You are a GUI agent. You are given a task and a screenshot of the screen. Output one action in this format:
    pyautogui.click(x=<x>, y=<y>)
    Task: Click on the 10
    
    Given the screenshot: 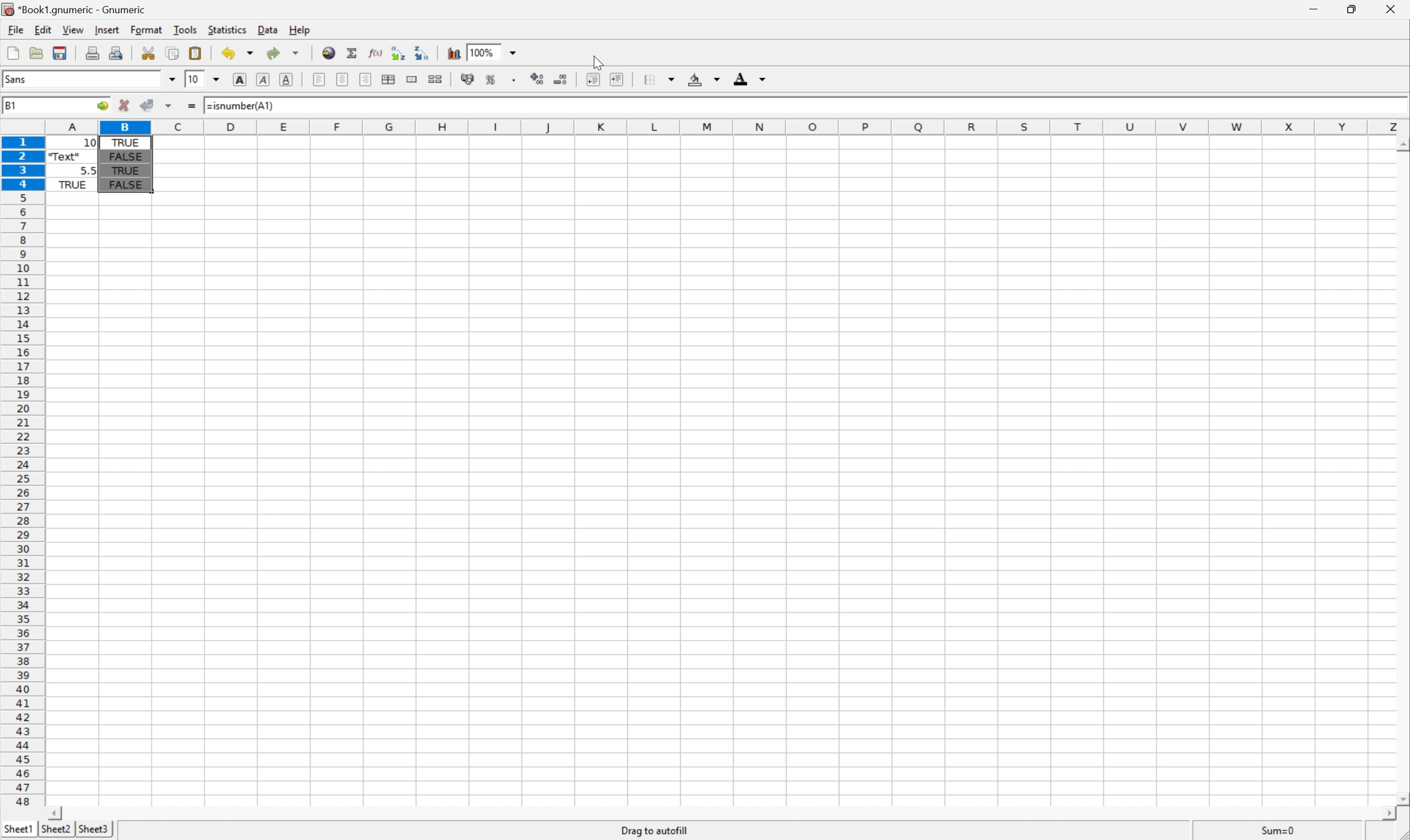 What is the action you would take?
    pyautogui.click(x=194, y=79)
    